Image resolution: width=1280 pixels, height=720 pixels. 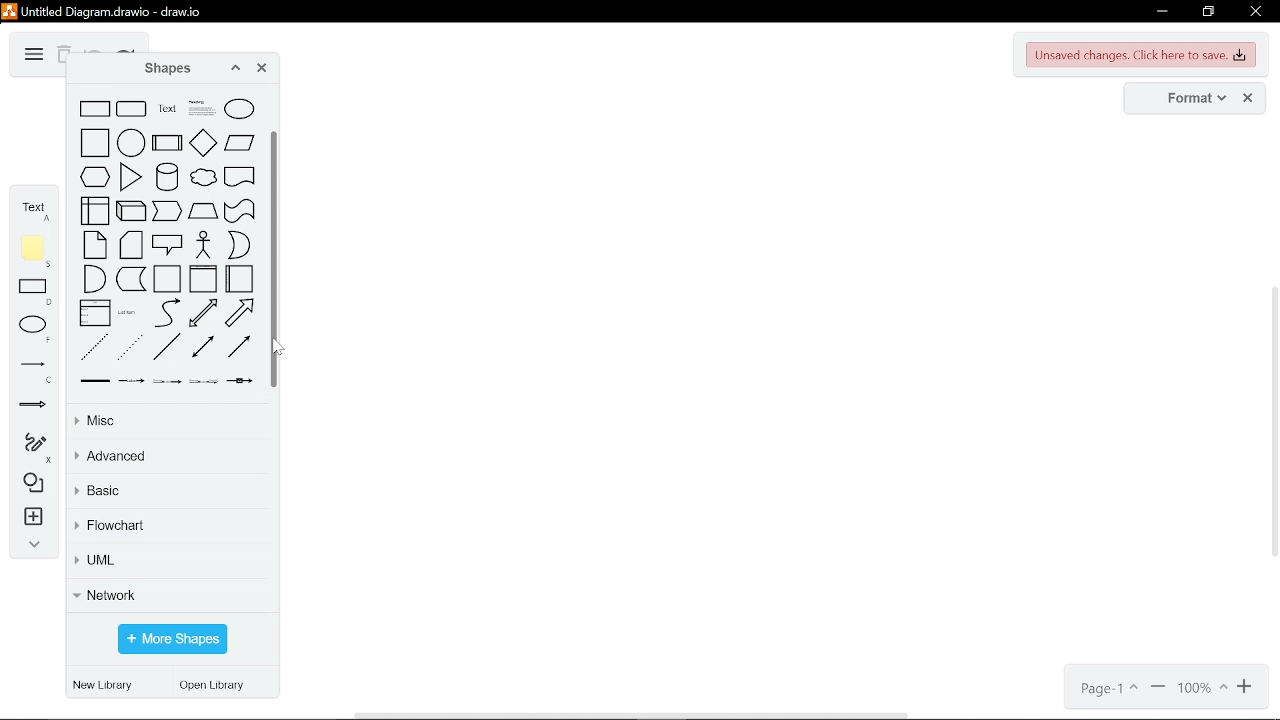 What do you see at coordinates (203, 211) in the screenshot?
I see `trapezoid` at bounding box center [203, 211].